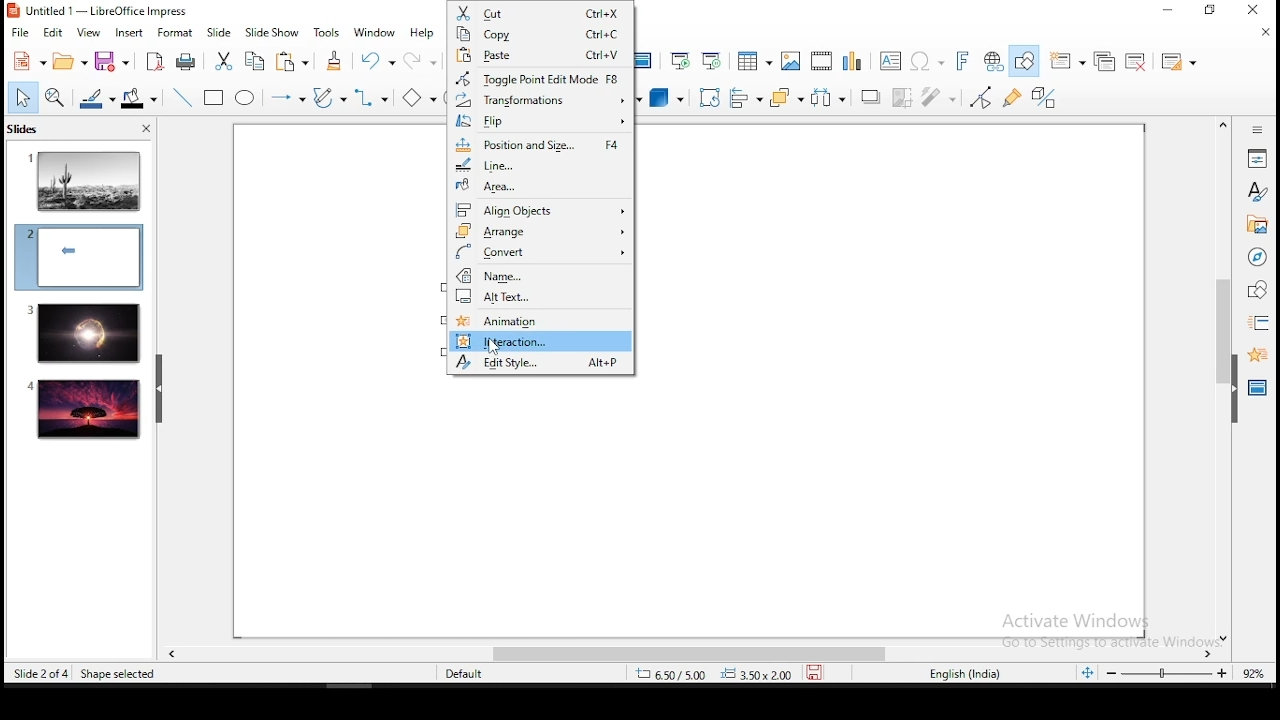  Describe the element at coordinates (1256, 259) in the screenshot. I see `navigator` at that location.